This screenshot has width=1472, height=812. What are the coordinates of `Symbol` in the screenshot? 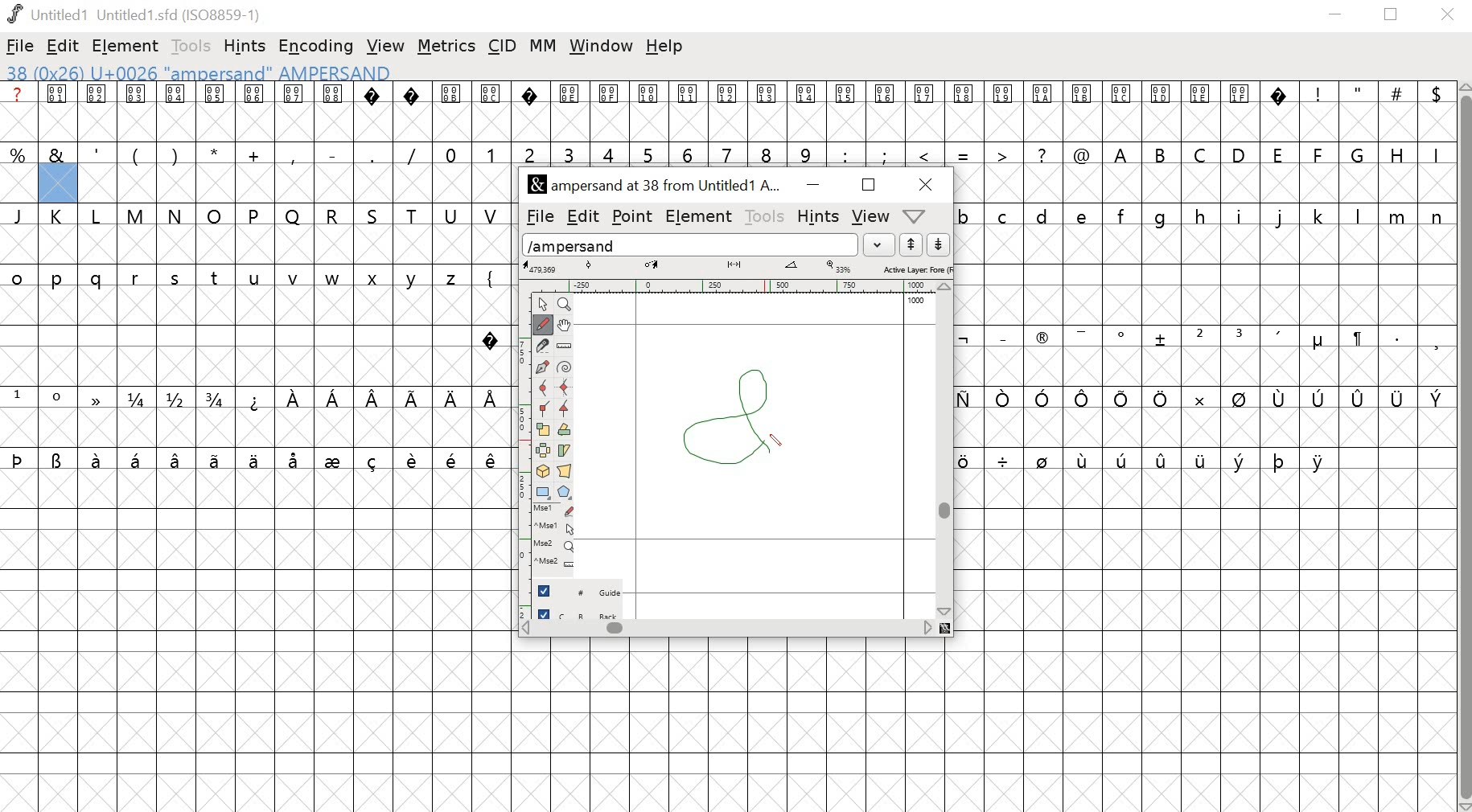 It's located at (1124, 336).